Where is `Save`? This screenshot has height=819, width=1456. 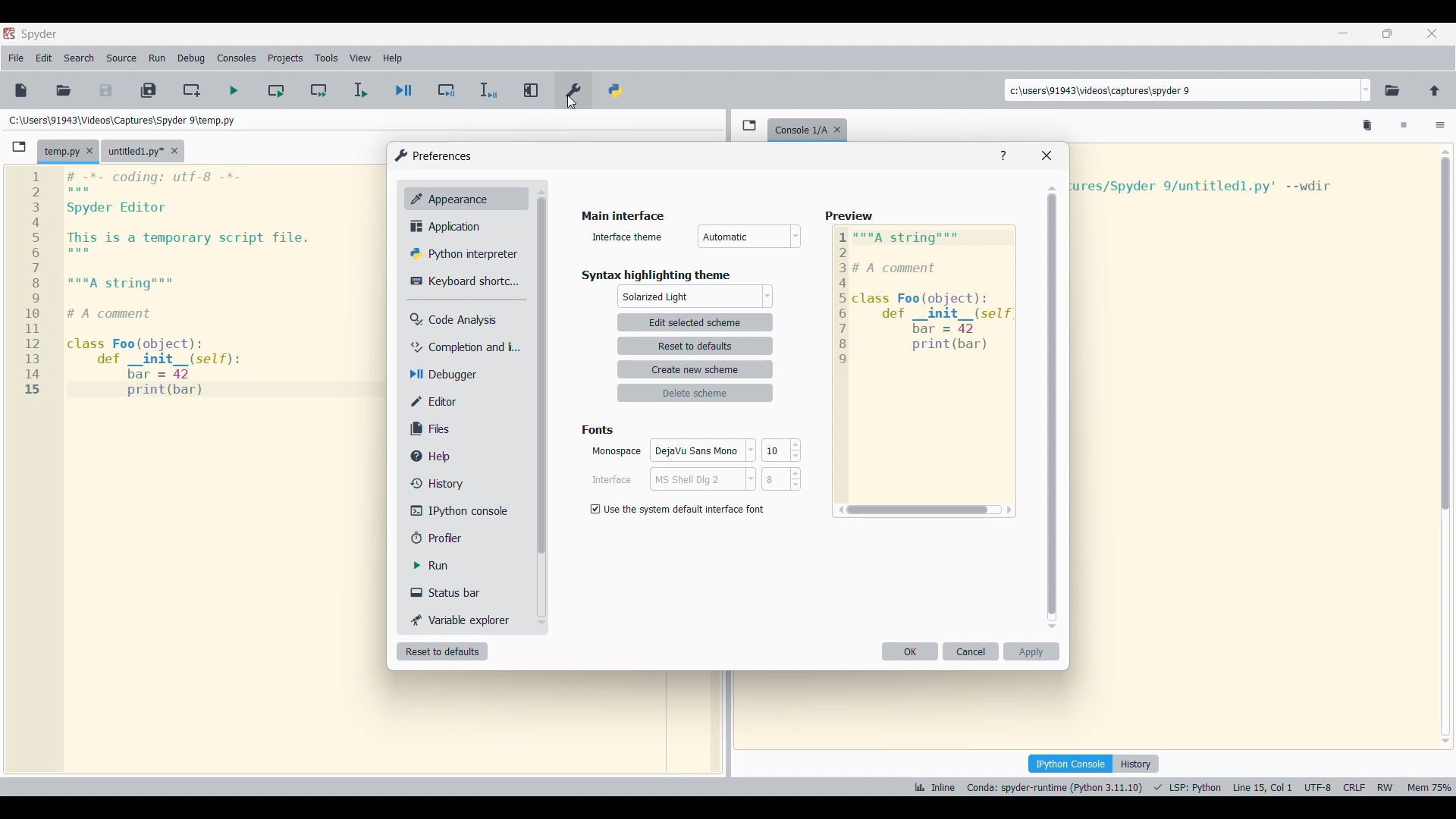
Save is located at coordinates (105, 89).